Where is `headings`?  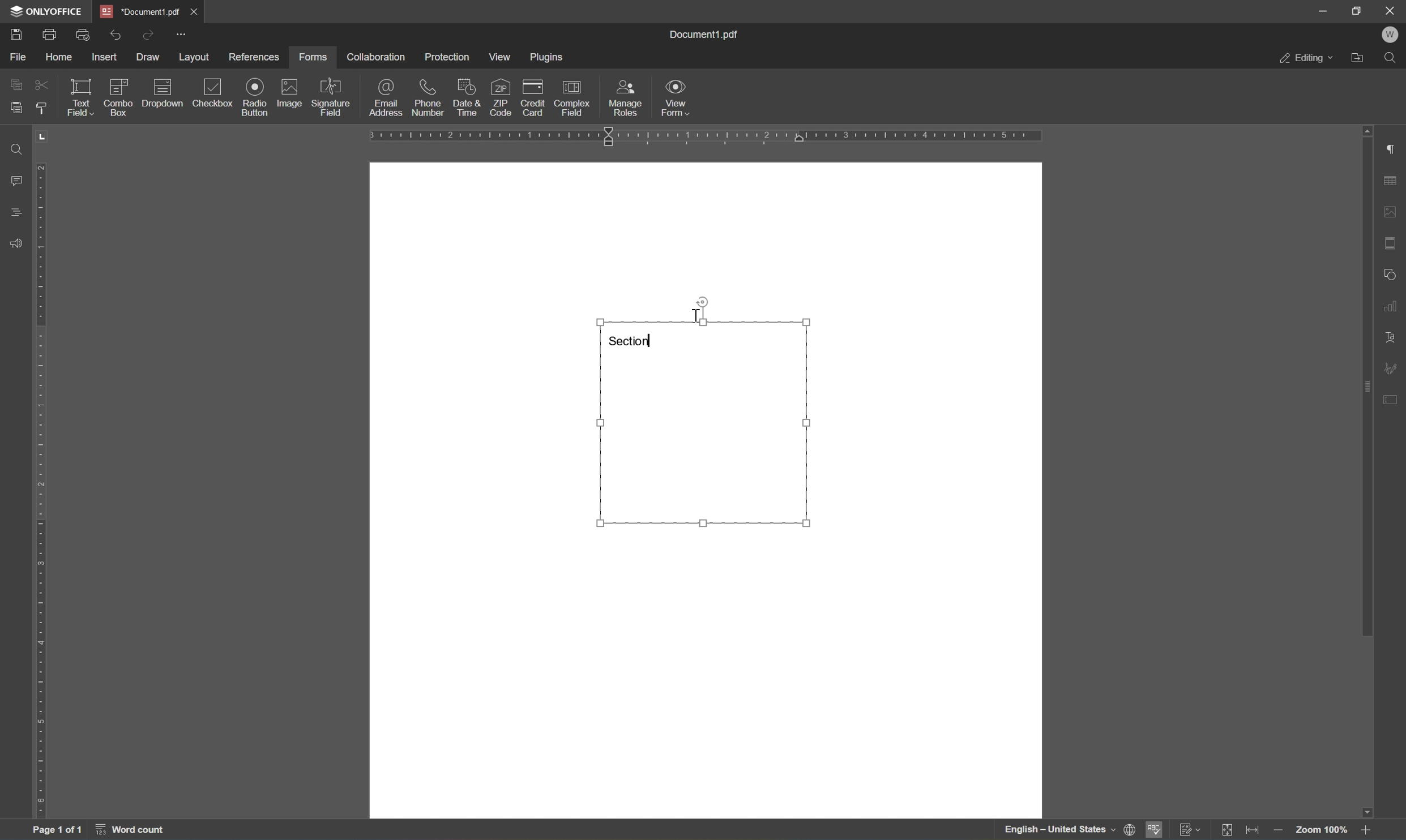
headings is located at coordinates (16, 212).